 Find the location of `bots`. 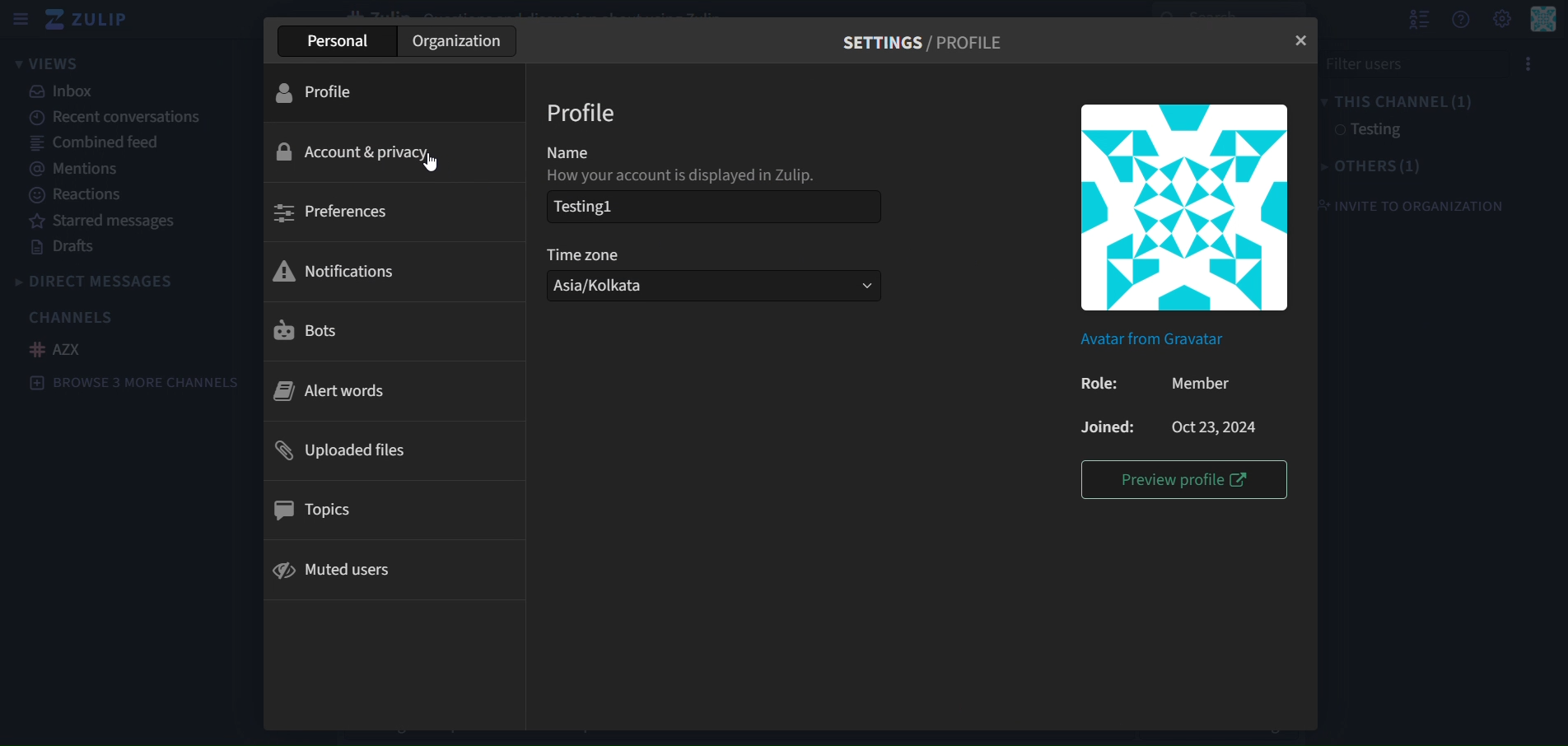

bots is located at coordinates (314, 332).